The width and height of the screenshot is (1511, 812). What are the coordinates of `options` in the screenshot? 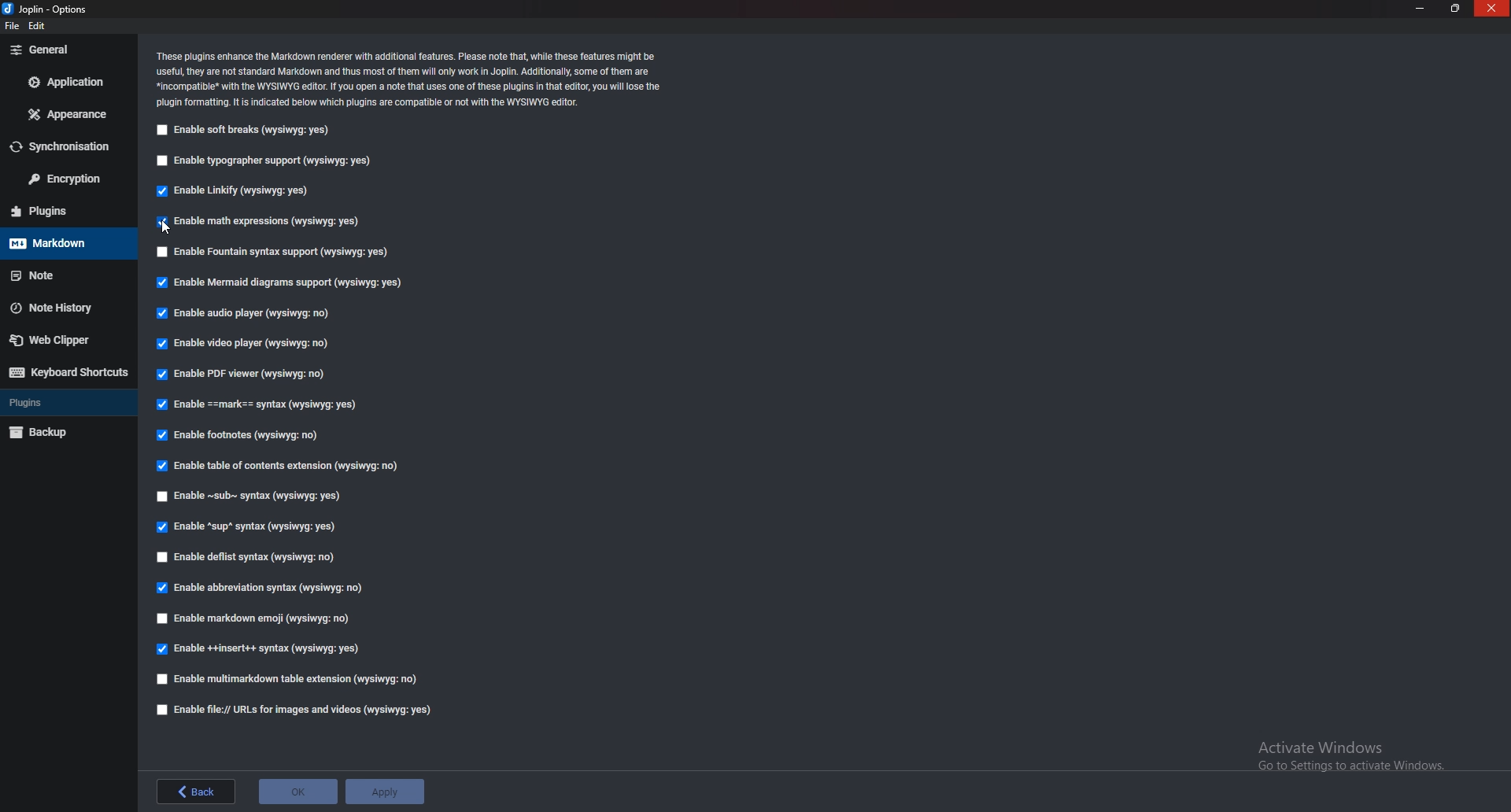 It's located at (49, 8).